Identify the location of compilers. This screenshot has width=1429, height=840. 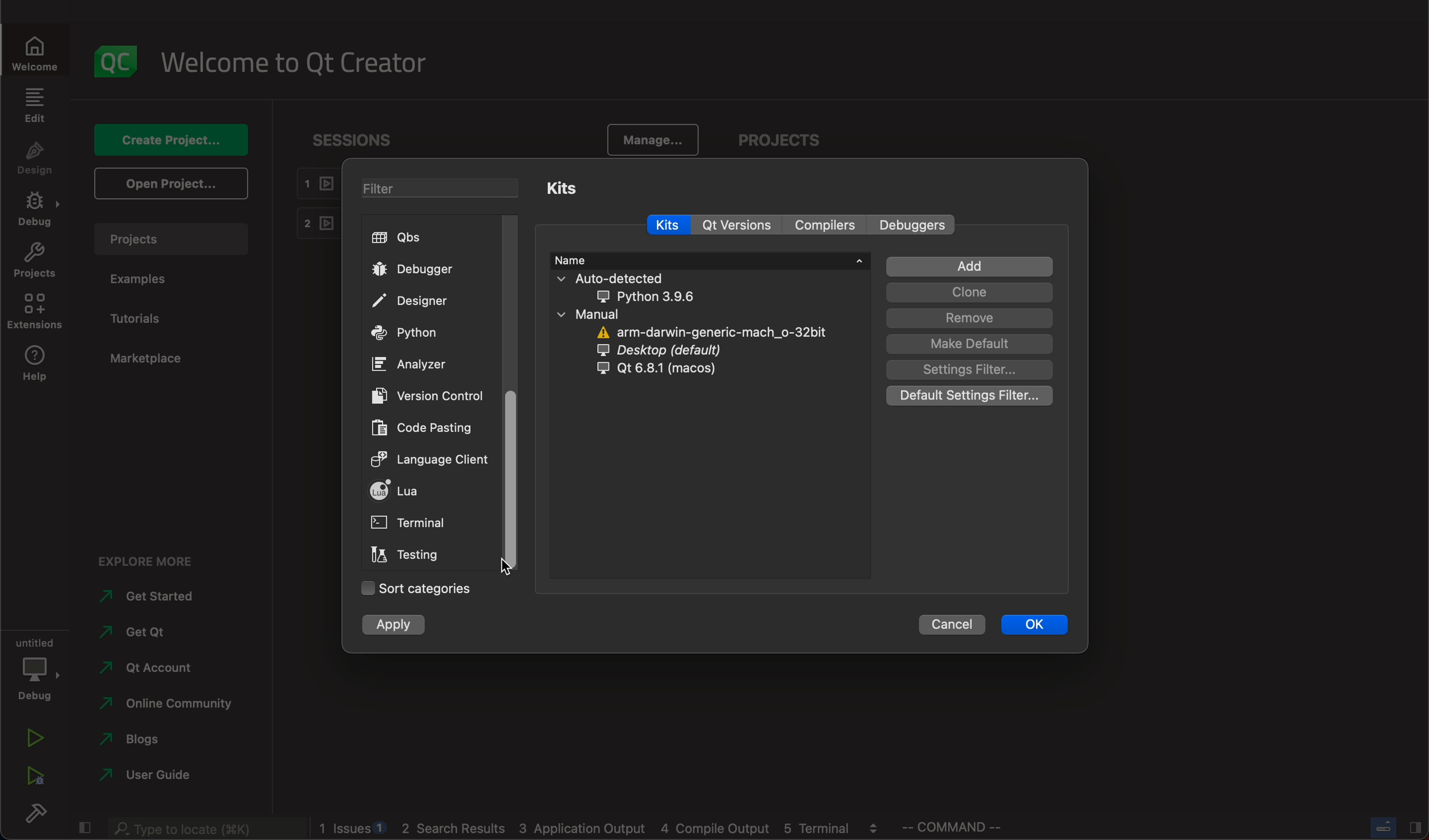
(823, 225).